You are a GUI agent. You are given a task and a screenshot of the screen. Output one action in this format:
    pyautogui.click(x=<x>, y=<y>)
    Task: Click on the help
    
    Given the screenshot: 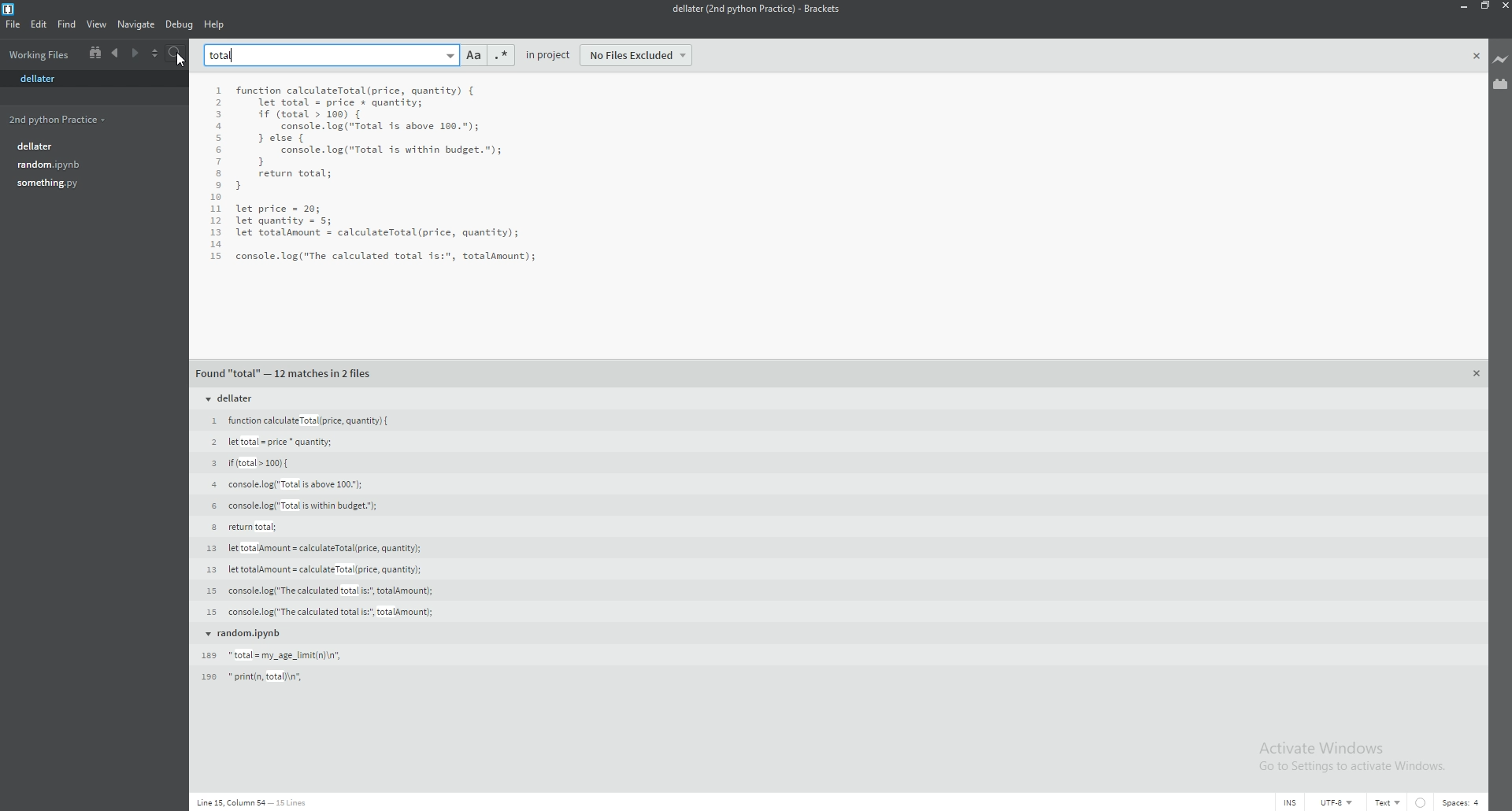 What is the action you would take?
    pyautogui.click(x=216, y=24)
    